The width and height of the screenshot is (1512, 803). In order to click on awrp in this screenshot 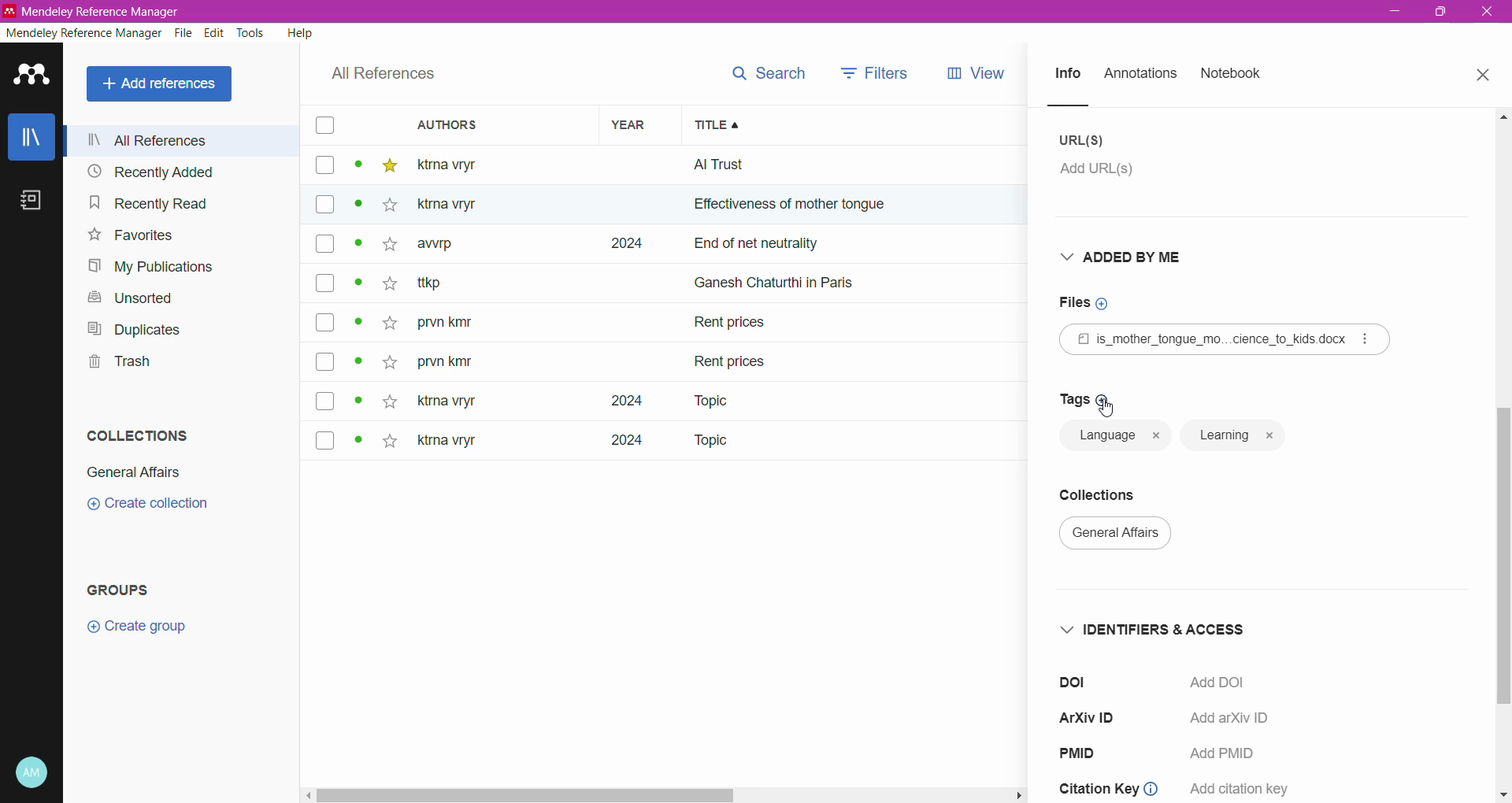, I will do `click(447, 249)`.